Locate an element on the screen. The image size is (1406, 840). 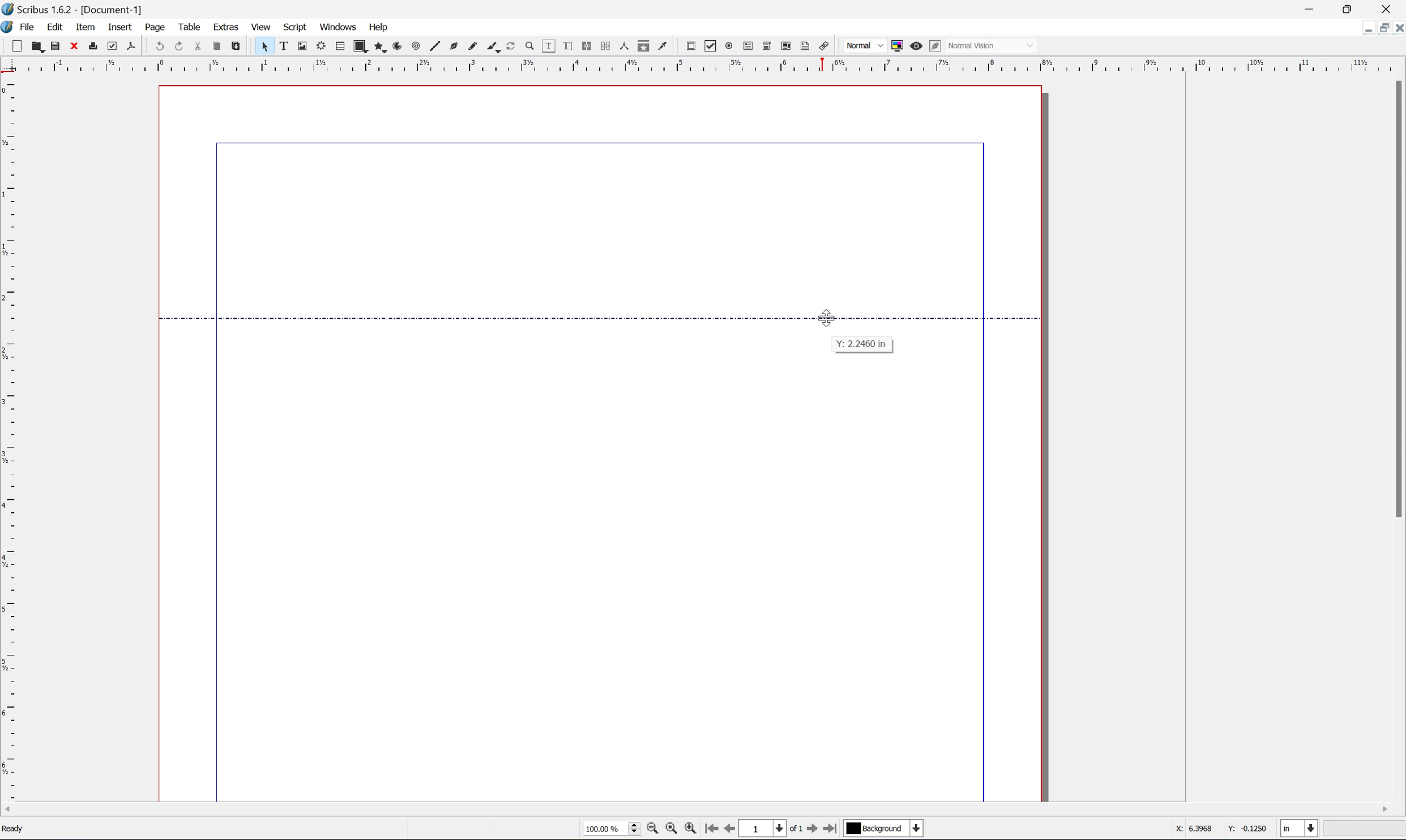
freehand line is located at coordinates (475, 46).